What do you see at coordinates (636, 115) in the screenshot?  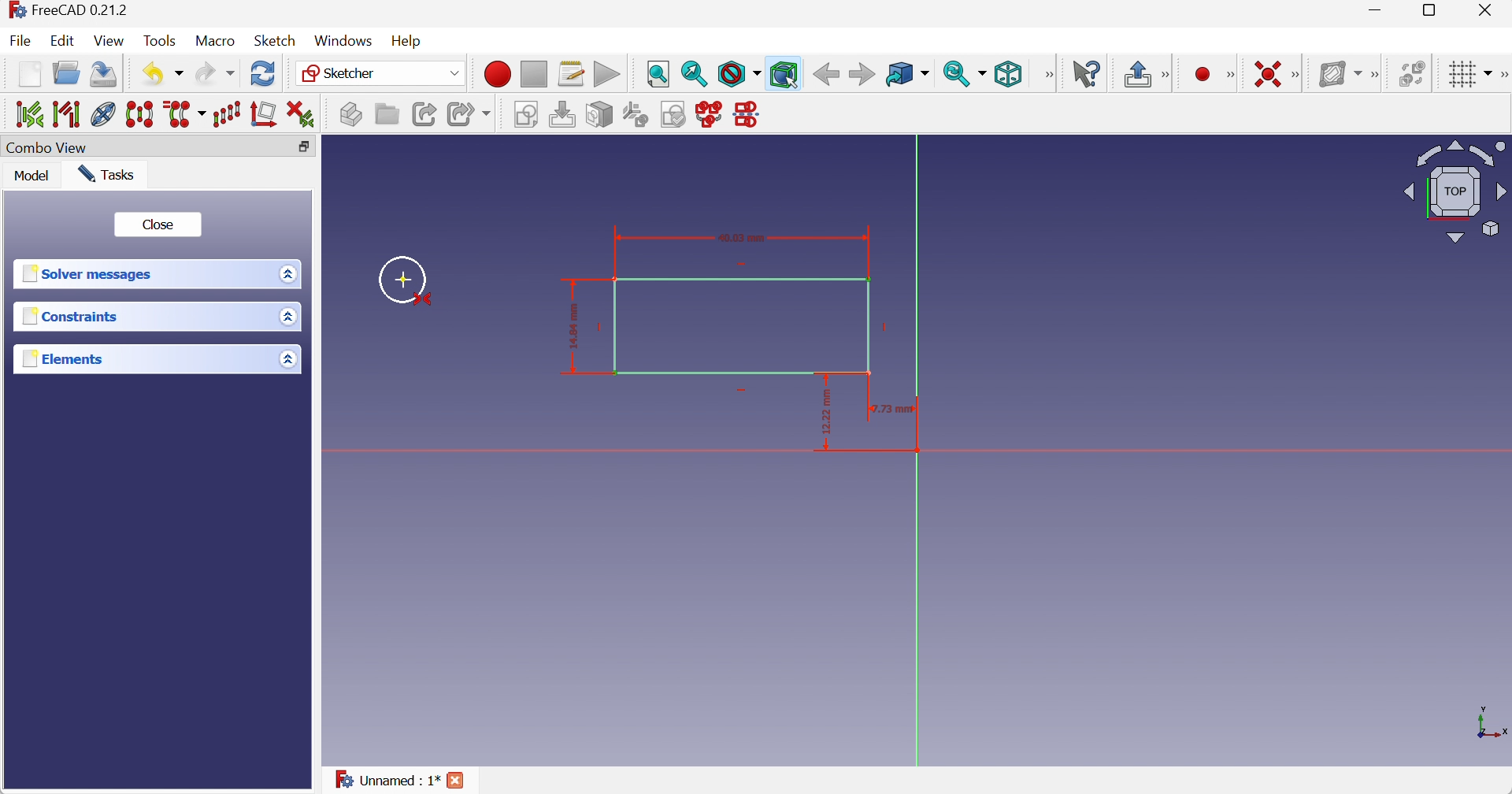 I see `Reorient sketch...` at bounding box center [636, 115].